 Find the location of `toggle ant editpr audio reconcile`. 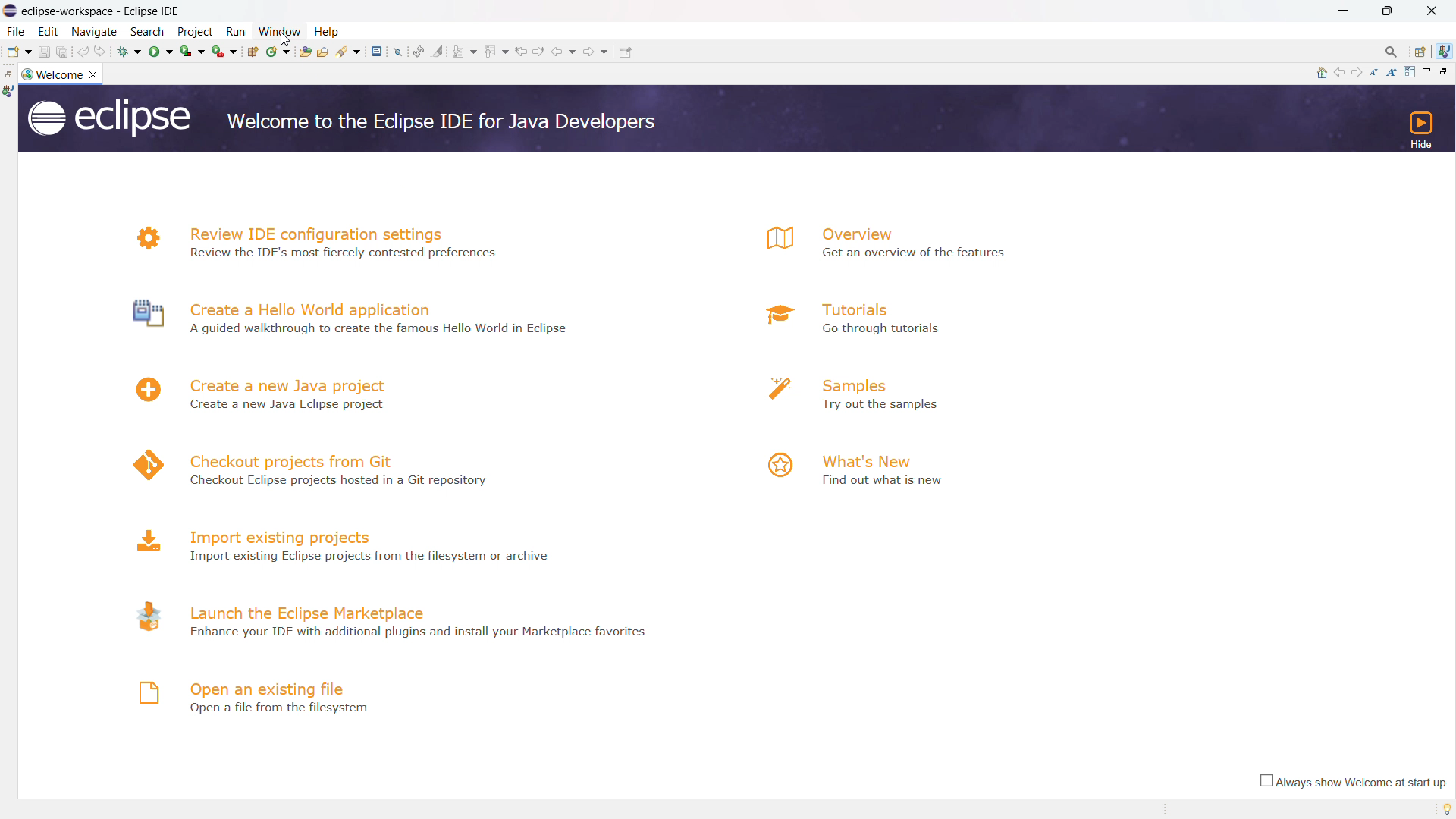

toggle ant editpr audio reconcile is located at coordinates (419, 52).